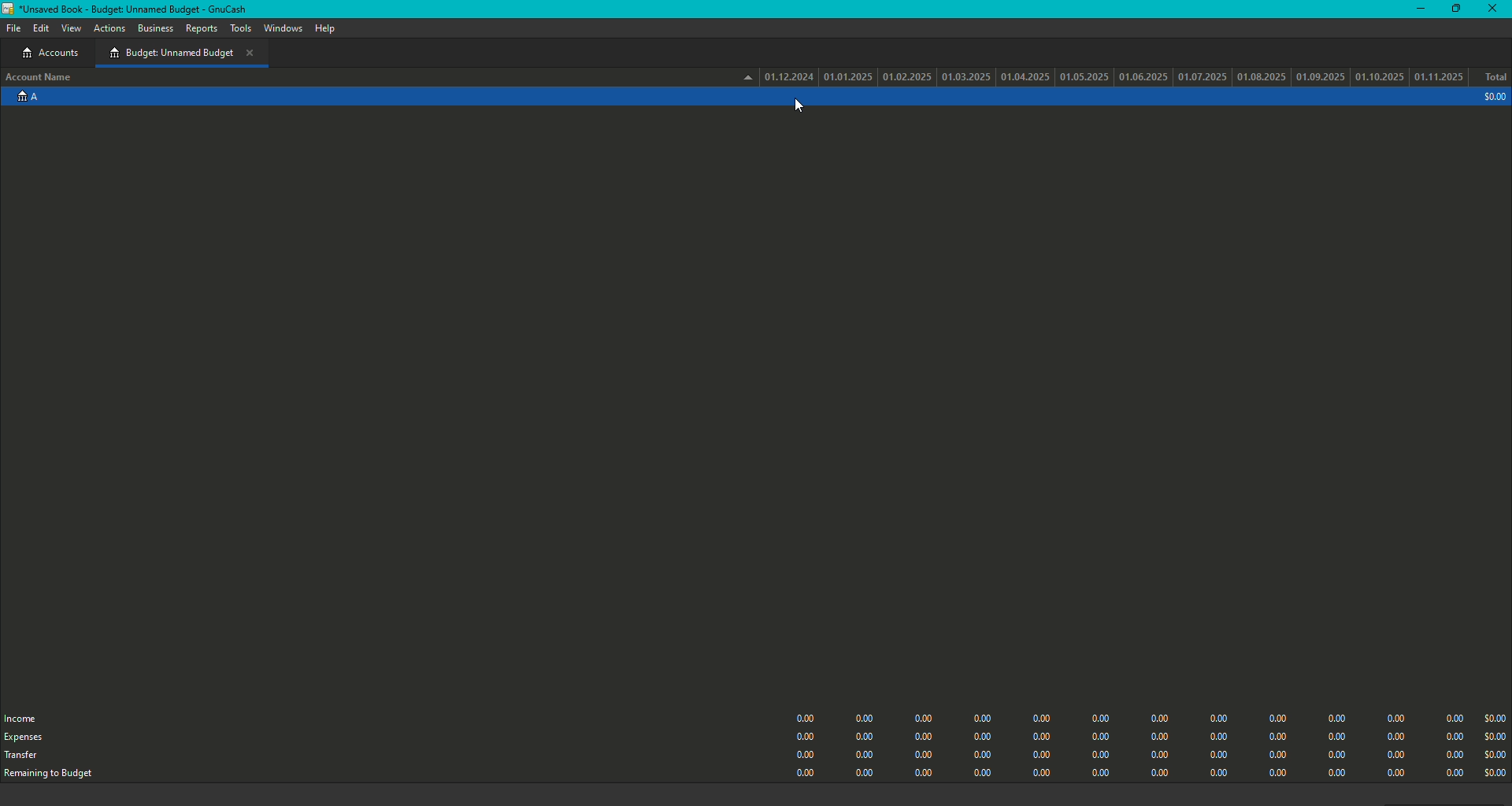 The width and height of the screenshot is (1512, 806). What do you see at coordinates (12, 28) in the screenshot?
I see `File` at bounding box center [12, 28].